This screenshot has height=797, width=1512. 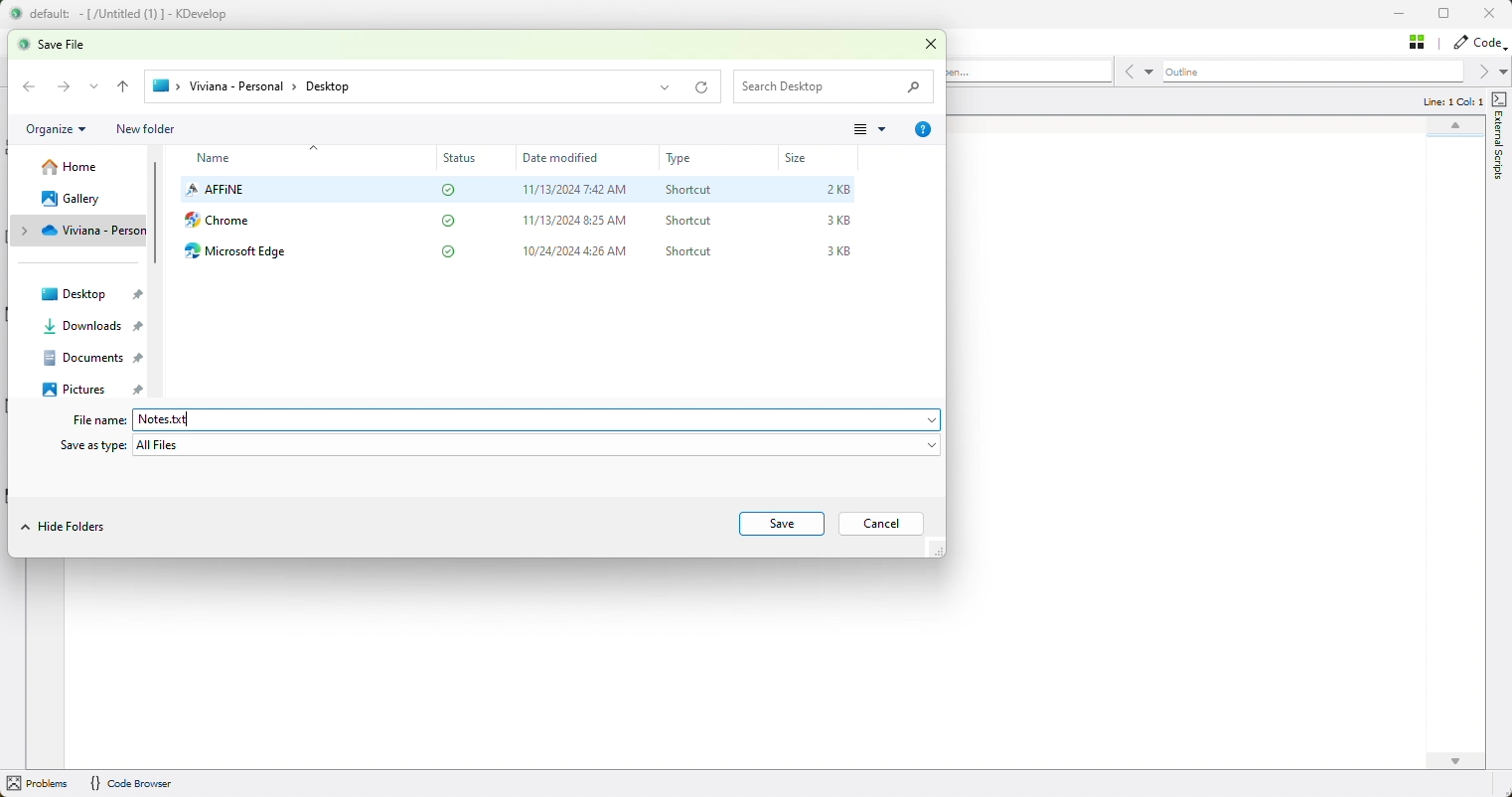 What do you see at coordinates (94, 388) in the screenshot?
I see `pictures` at bounding box center [94, 388].